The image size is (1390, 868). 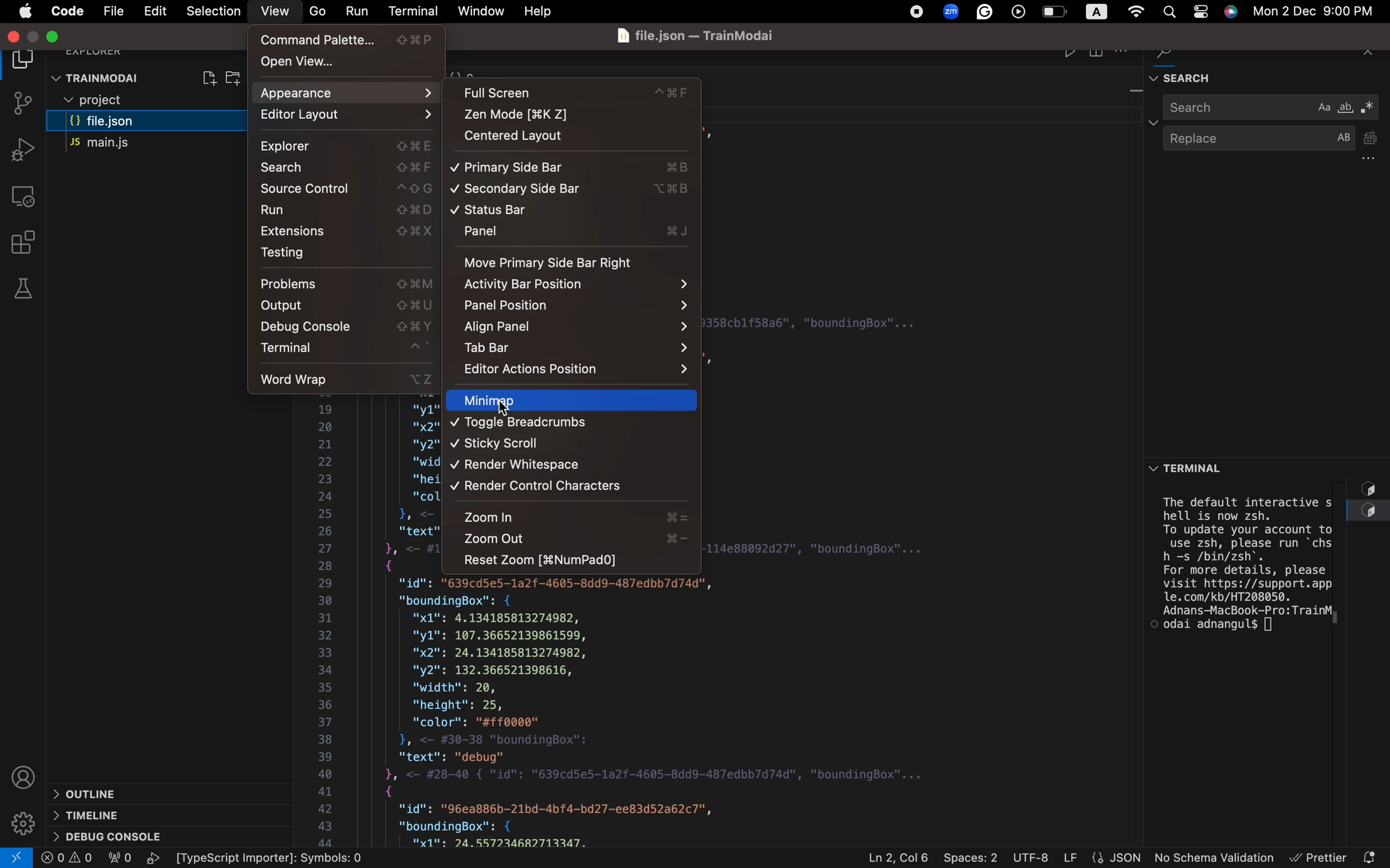 What do you see at coordinates (568, 165) in the screenshot?
I see `` at bounding box center [568, 165].